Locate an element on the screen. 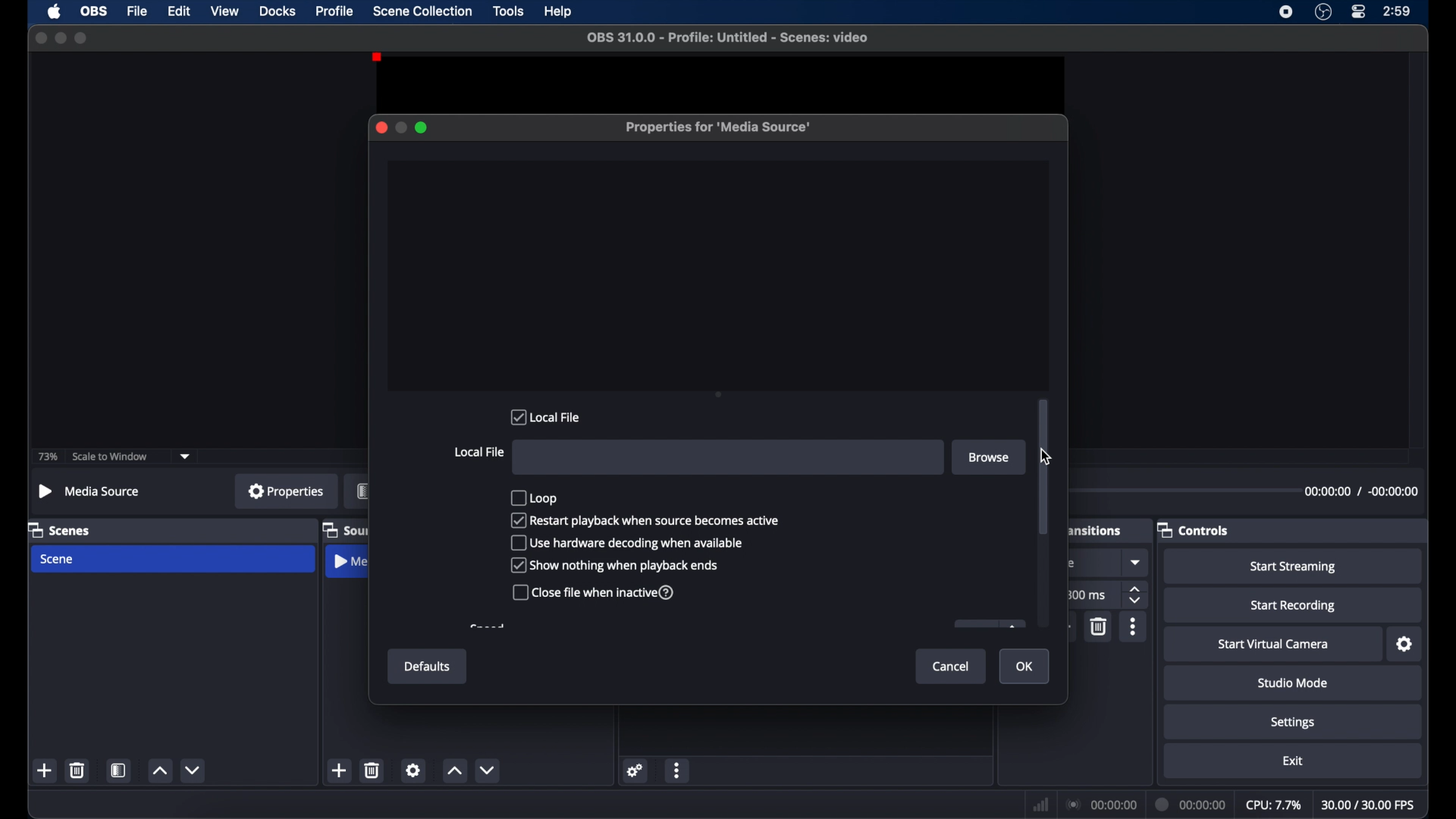 The image size is (1456, 819). settings is located at coordinates (1406, 645).